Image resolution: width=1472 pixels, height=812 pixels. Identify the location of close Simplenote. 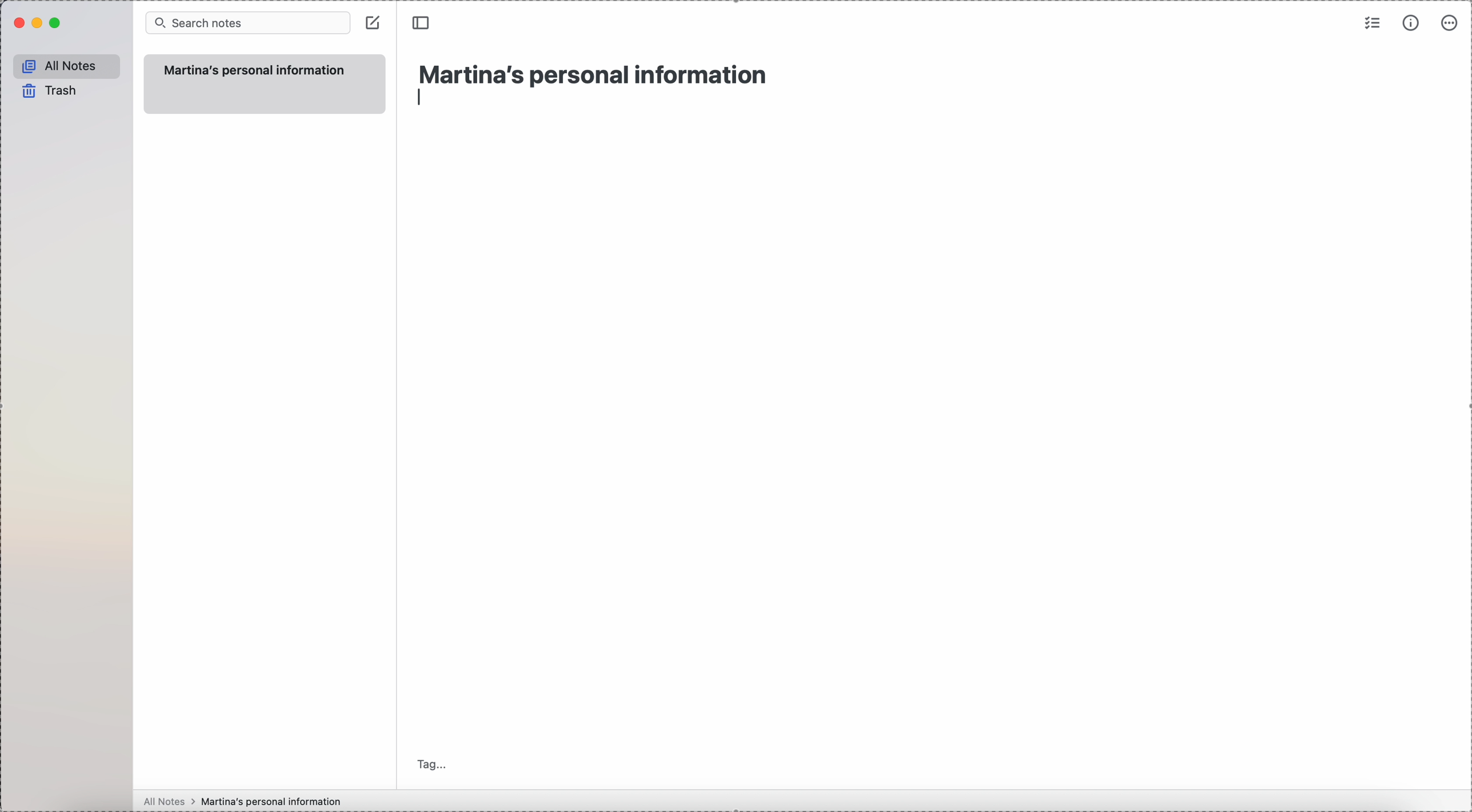
(18, 24).